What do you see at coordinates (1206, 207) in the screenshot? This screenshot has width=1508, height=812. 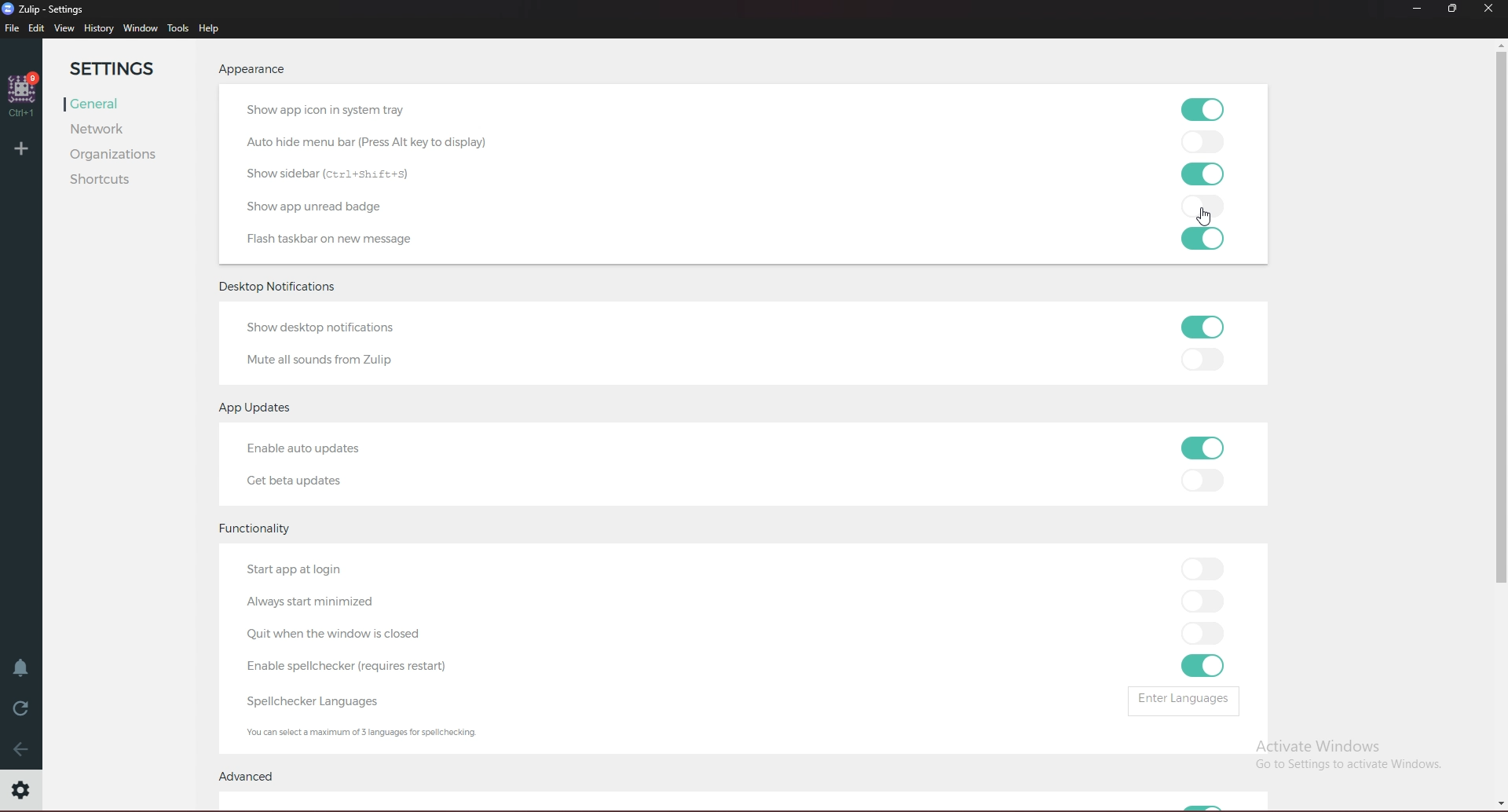 I see `toggle` at bounding box center [1206, 207].